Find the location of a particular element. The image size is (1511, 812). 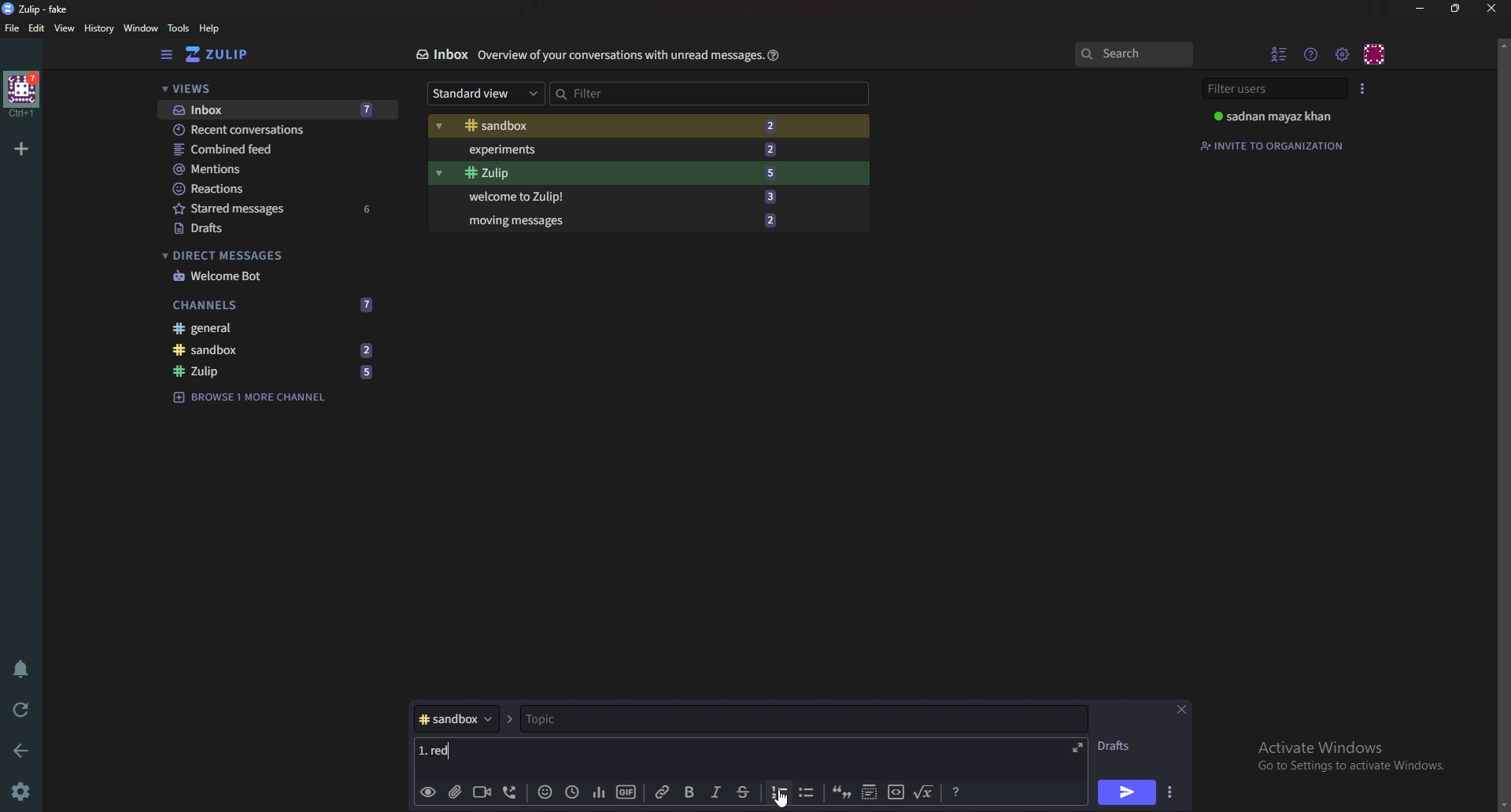

Global time is located at coordinates (571, 791).